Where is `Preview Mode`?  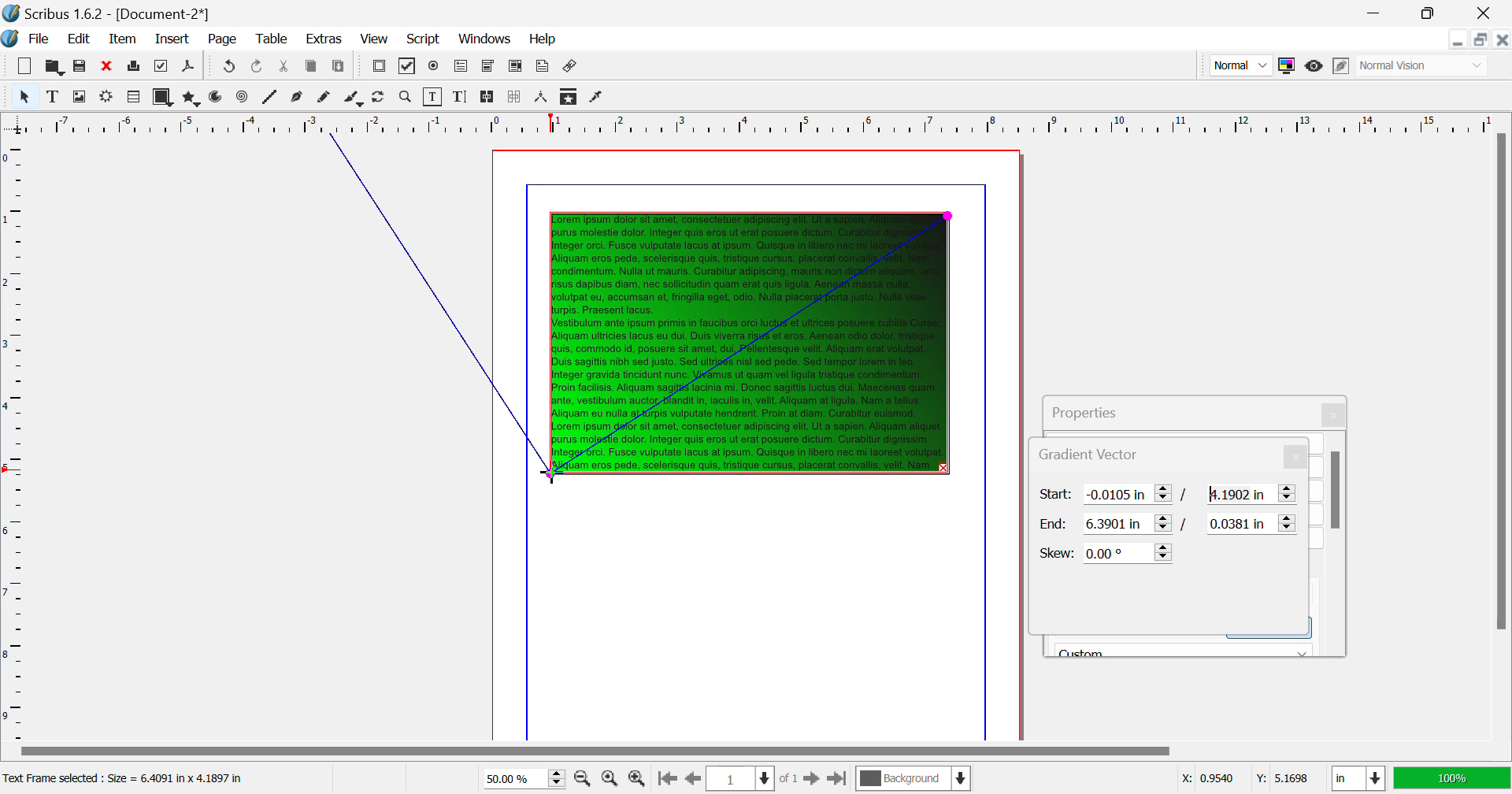
Preview Mode is located at coordinates (1240, 65).